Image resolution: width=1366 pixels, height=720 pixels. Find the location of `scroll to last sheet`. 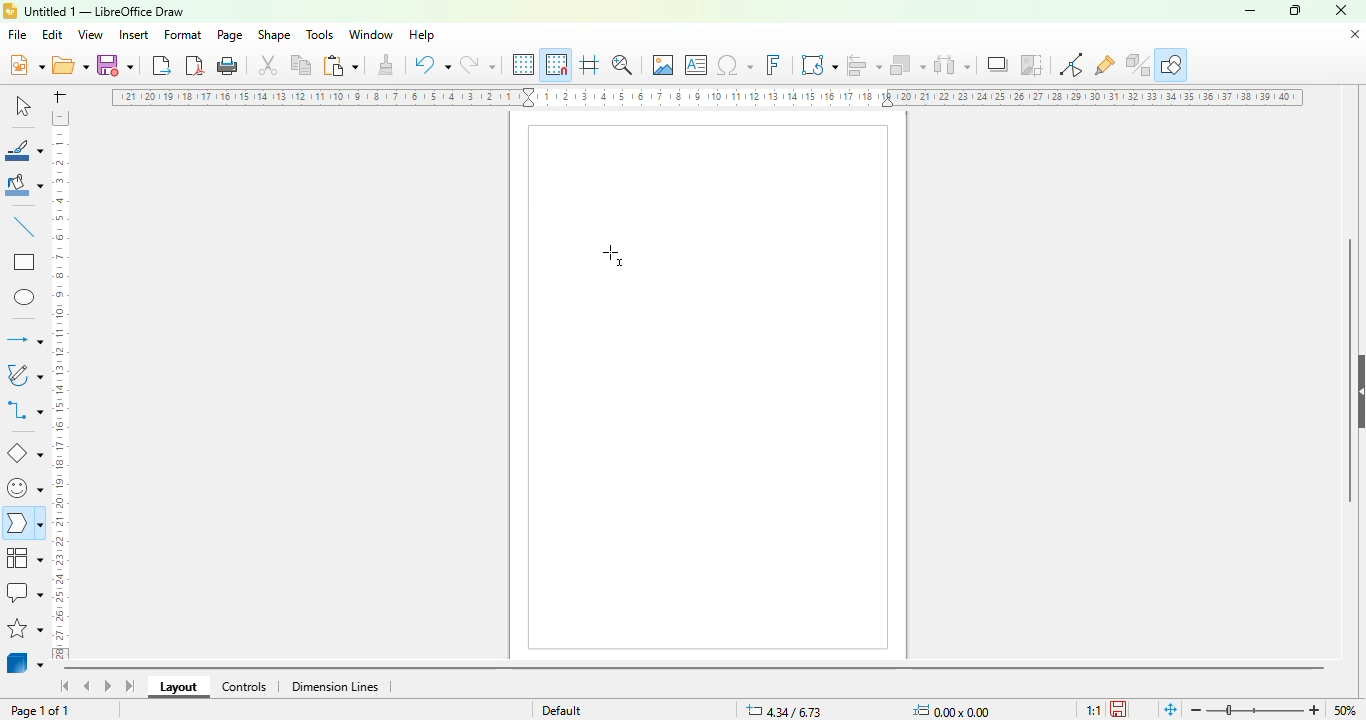

scroll to last sheet is located at coordinates (131, 686).